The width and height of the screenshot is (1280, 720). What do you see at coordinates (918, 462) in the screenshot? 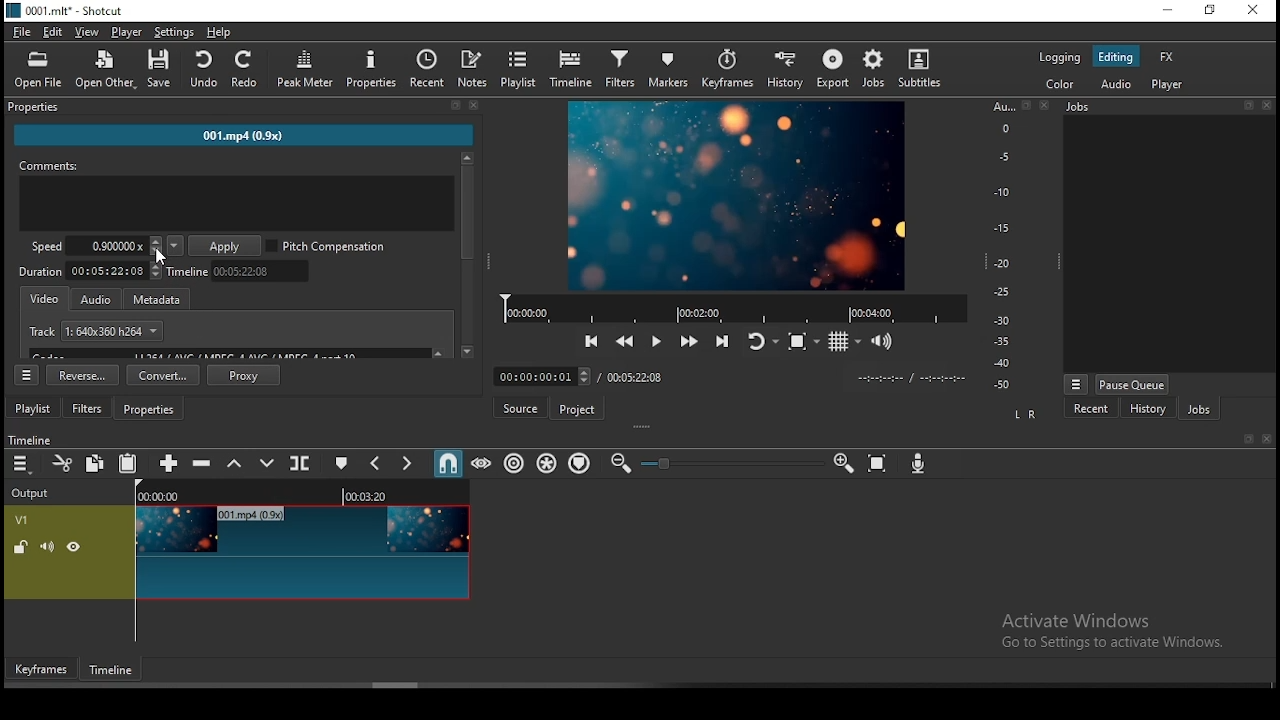
I see `record audio` at bounding box center [918, 462].